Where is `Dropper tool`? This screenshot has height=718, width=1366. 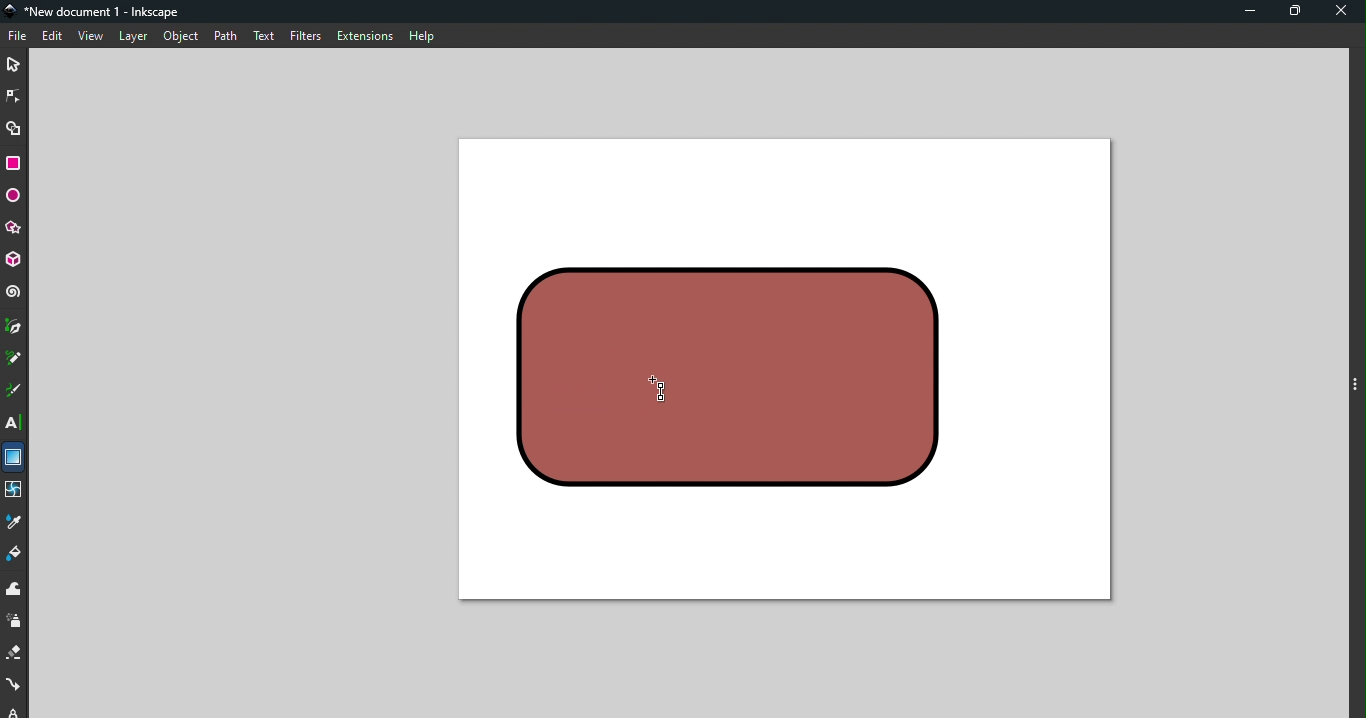 Dropper tool is located at coordinates (15, 523).